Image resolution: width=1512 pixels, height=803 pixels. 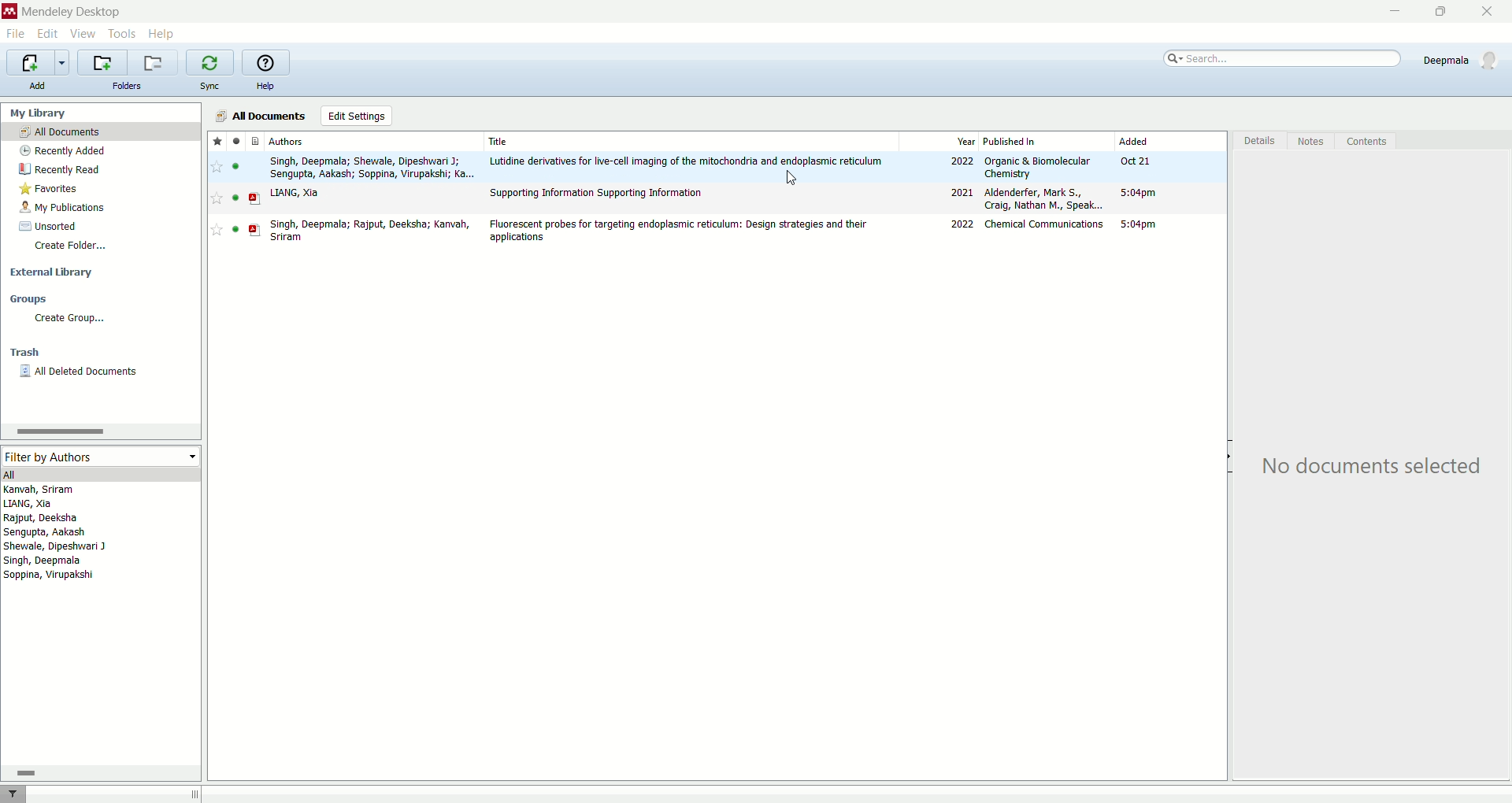 What do you see at coordinates (963, 224) in the screenshot?
I see `2022` at bounding box center [963, 224].